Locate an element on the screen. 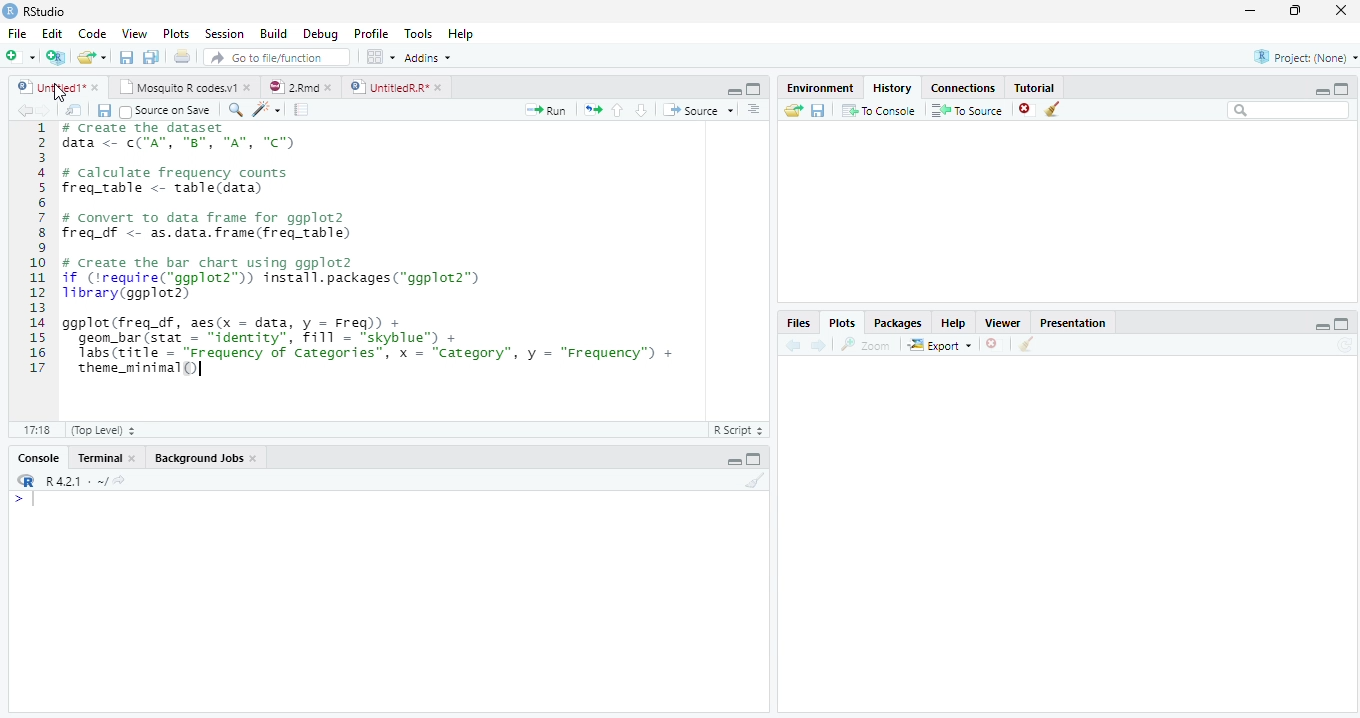 This screenshot has height=718, width=1360. Debug is located at coordinates (321, 33).